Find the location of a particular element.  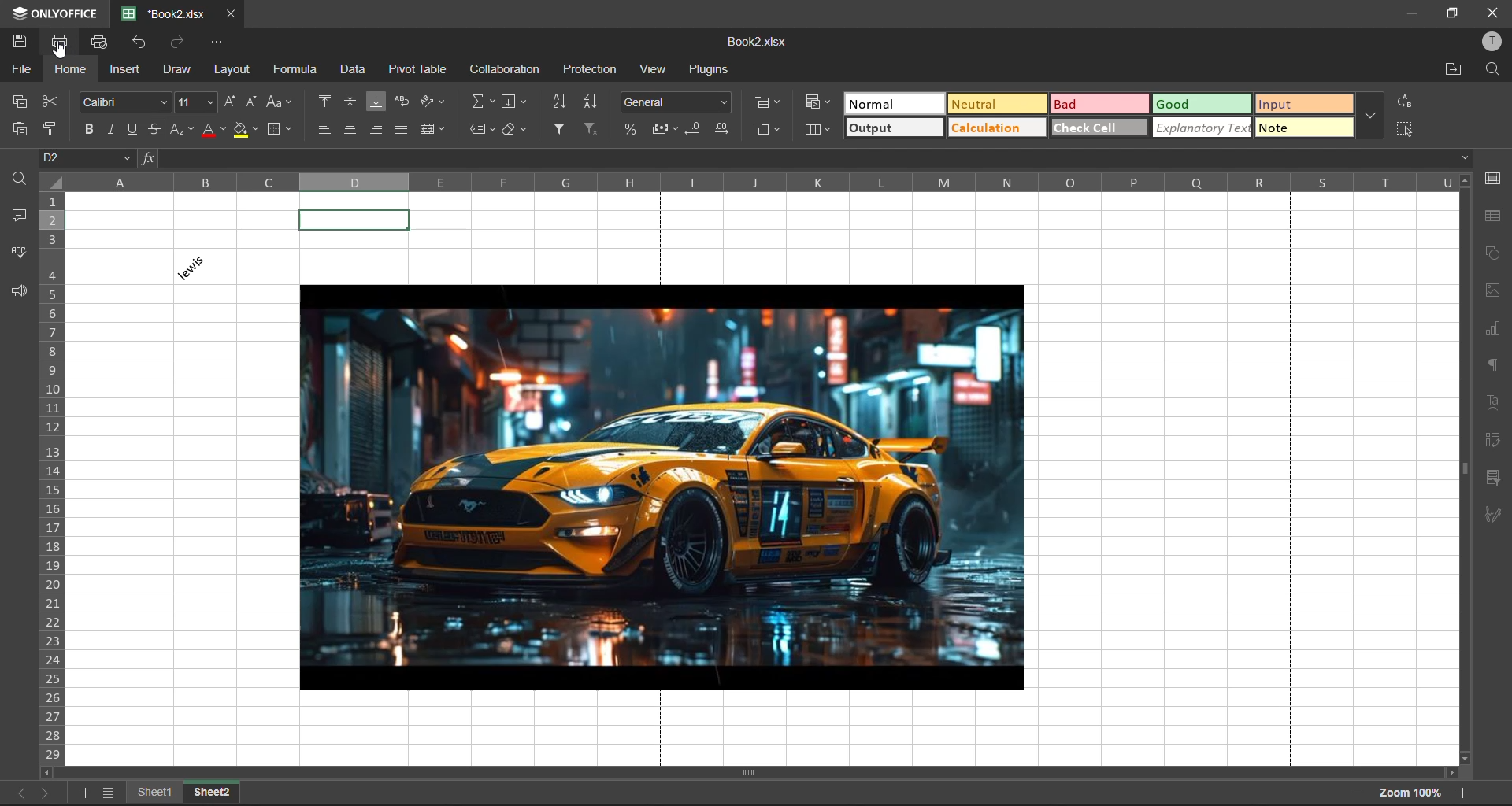

pivot table is located at coordinates (1495, 442).